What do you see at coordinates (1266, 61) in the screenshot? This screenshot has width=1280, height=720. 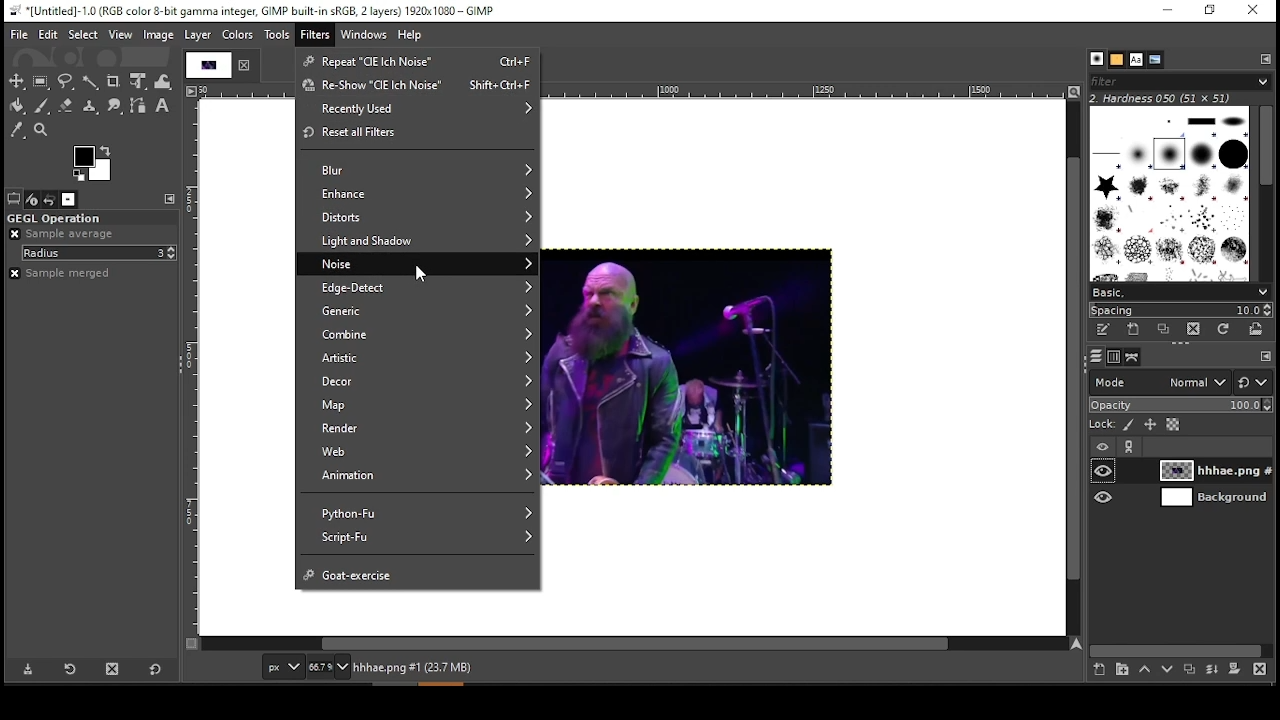 I see `configure this tab` at bounding box center [1266, 61].